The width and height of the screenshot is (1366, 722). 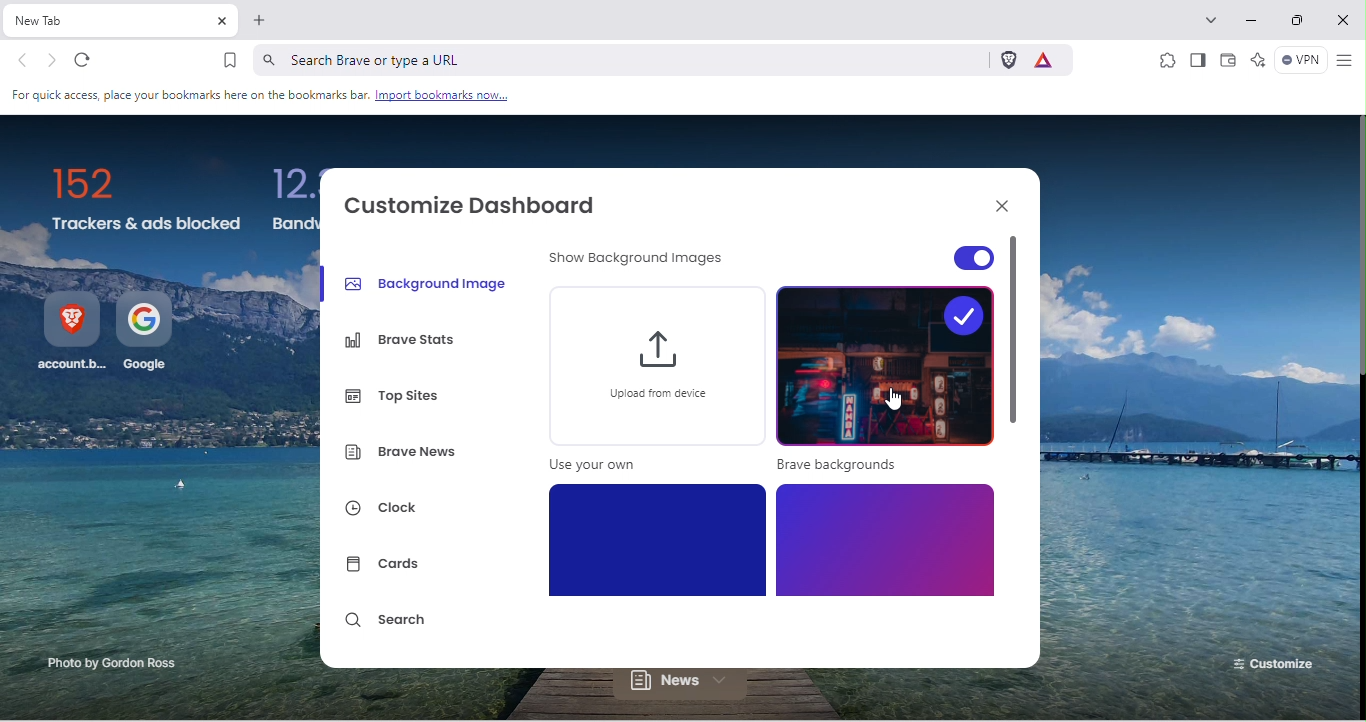 What do you see at coordinates (404, 455) in the screenshot?
I see `Brave news` at bounding box center [404, 455].